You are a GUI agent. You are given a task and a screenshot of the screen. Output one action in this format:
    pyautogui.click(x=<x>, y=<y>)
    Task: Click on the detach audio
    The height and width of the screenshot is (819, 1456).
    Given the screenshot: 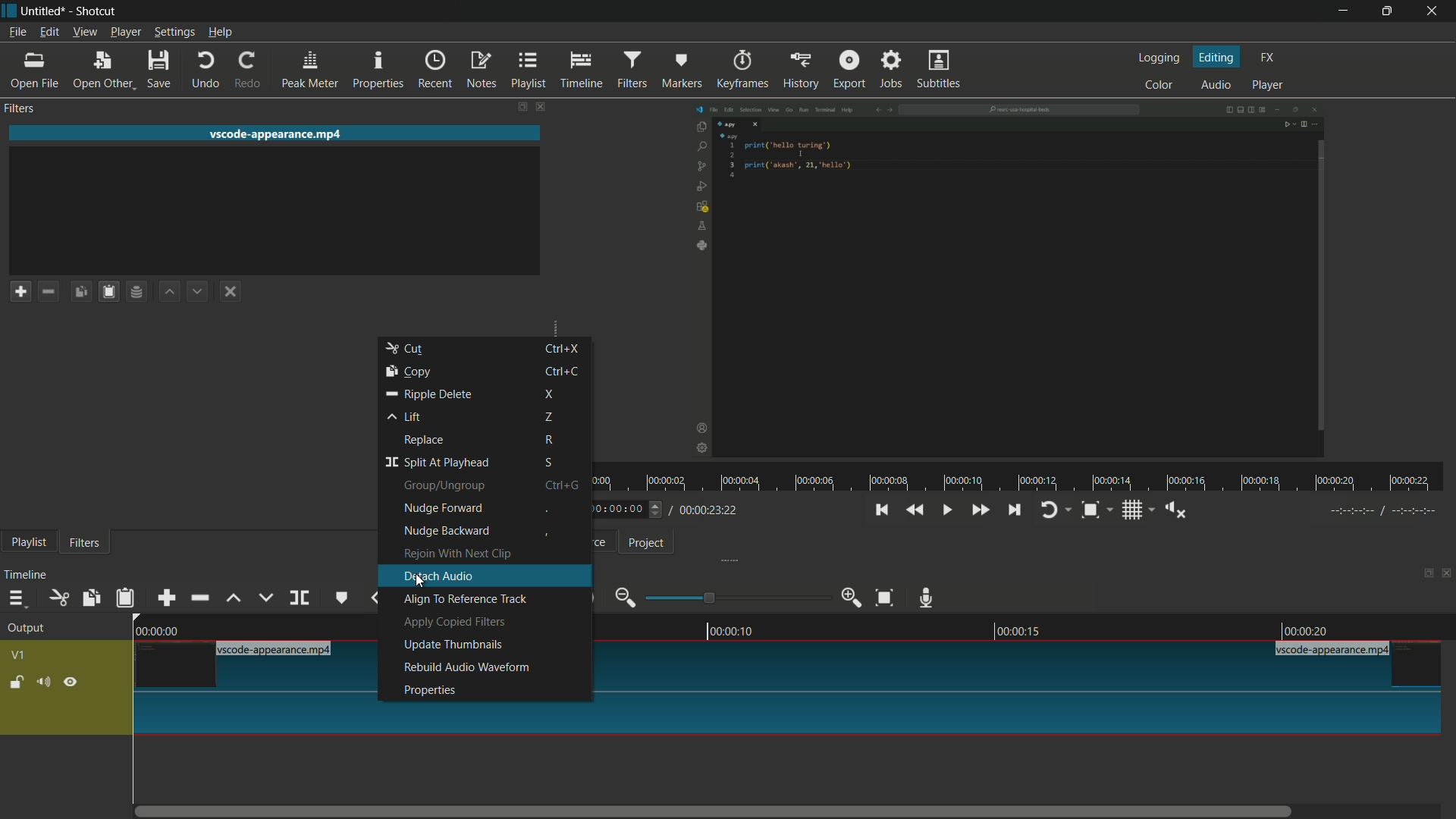 What is the action you would take?
    pyautogui.click(x=438, y=576)
    